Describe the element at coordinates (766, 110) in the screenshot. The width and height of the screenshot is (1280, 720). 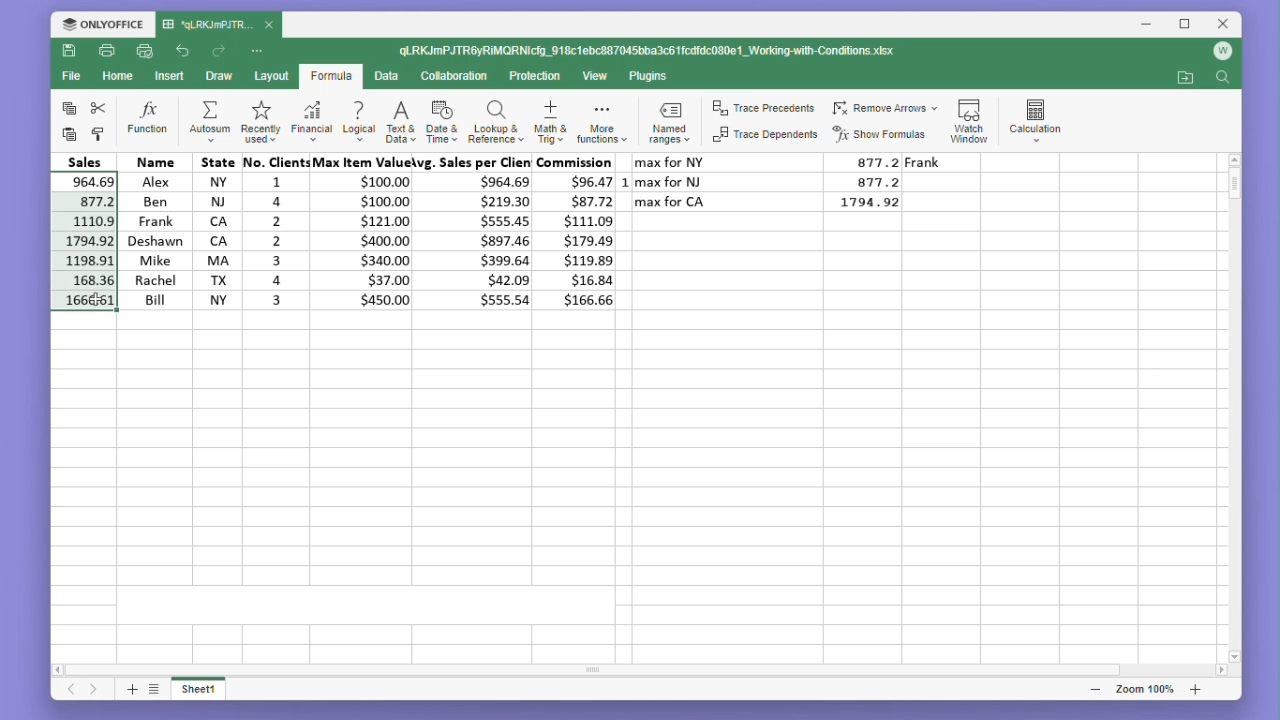
I see `trace precedents` at that location.